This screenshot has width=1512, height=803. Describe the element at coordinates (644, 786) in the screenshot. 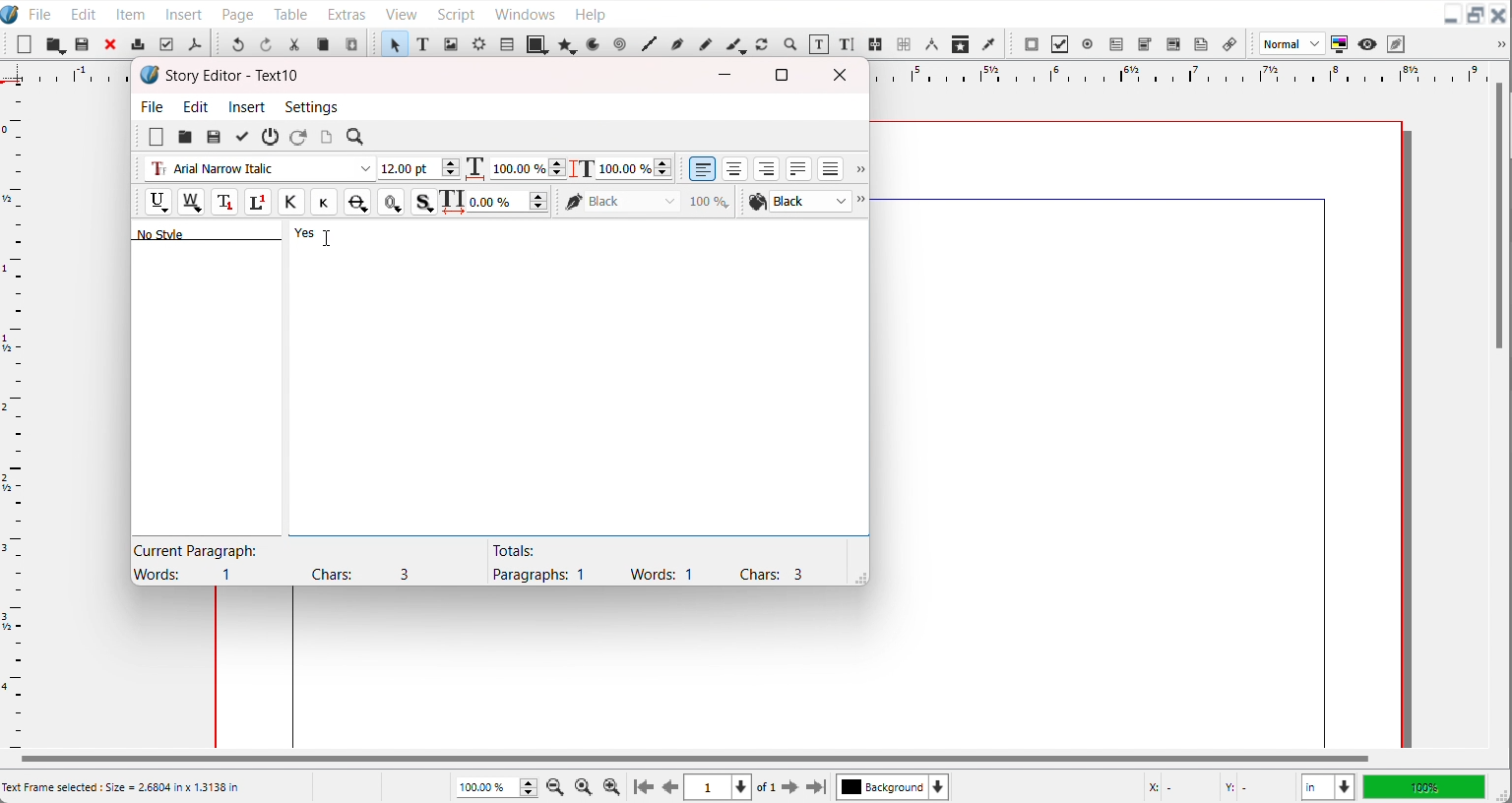

I see `Go to first page` at that location.